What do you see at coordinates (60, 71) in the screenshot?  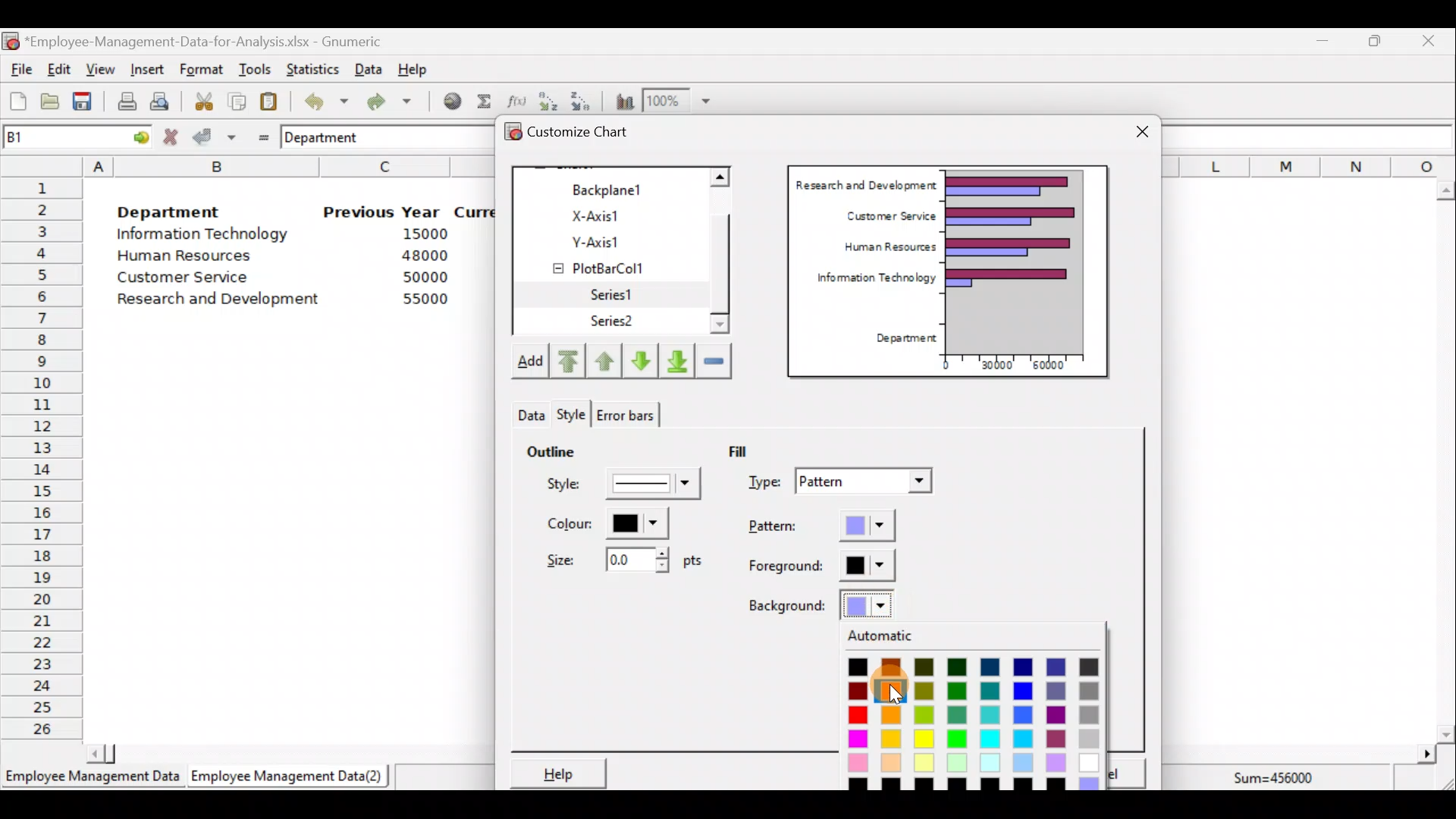 I see `Edit` at bounding box center [60, 71].